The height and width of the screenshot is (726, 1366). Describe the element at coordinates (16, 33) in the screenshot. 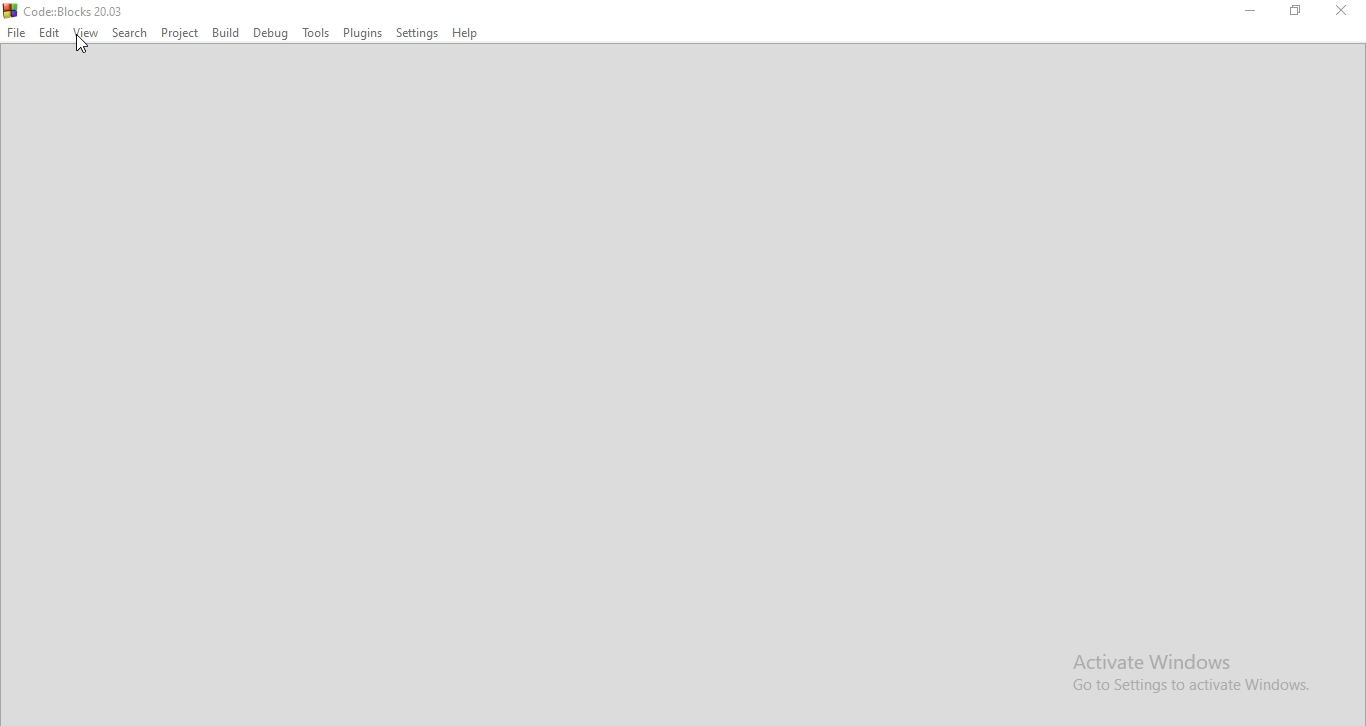

I see `File` at that location.